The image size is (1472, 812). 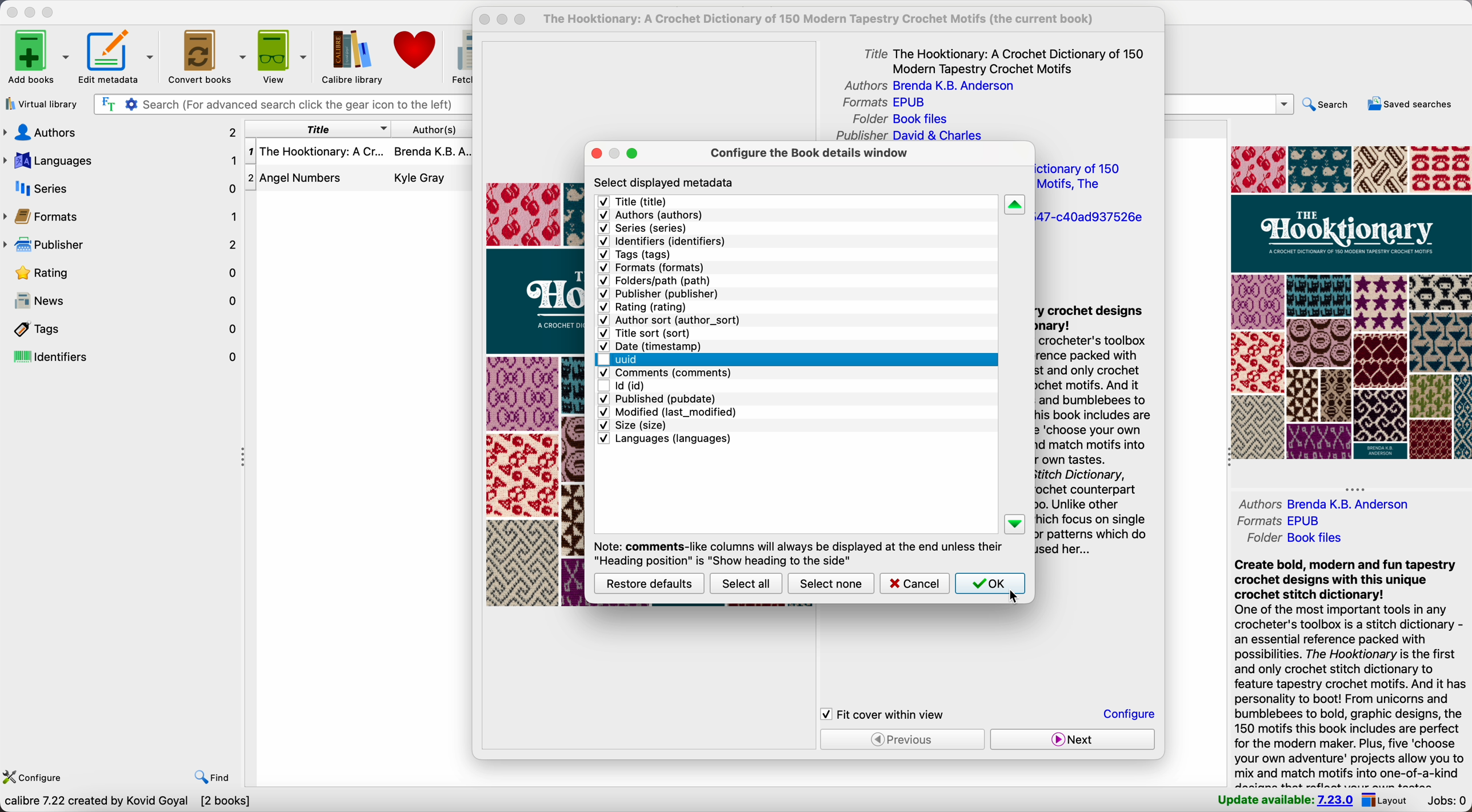 I want to click on Angel numbers book details, so click(x=361, y=181).